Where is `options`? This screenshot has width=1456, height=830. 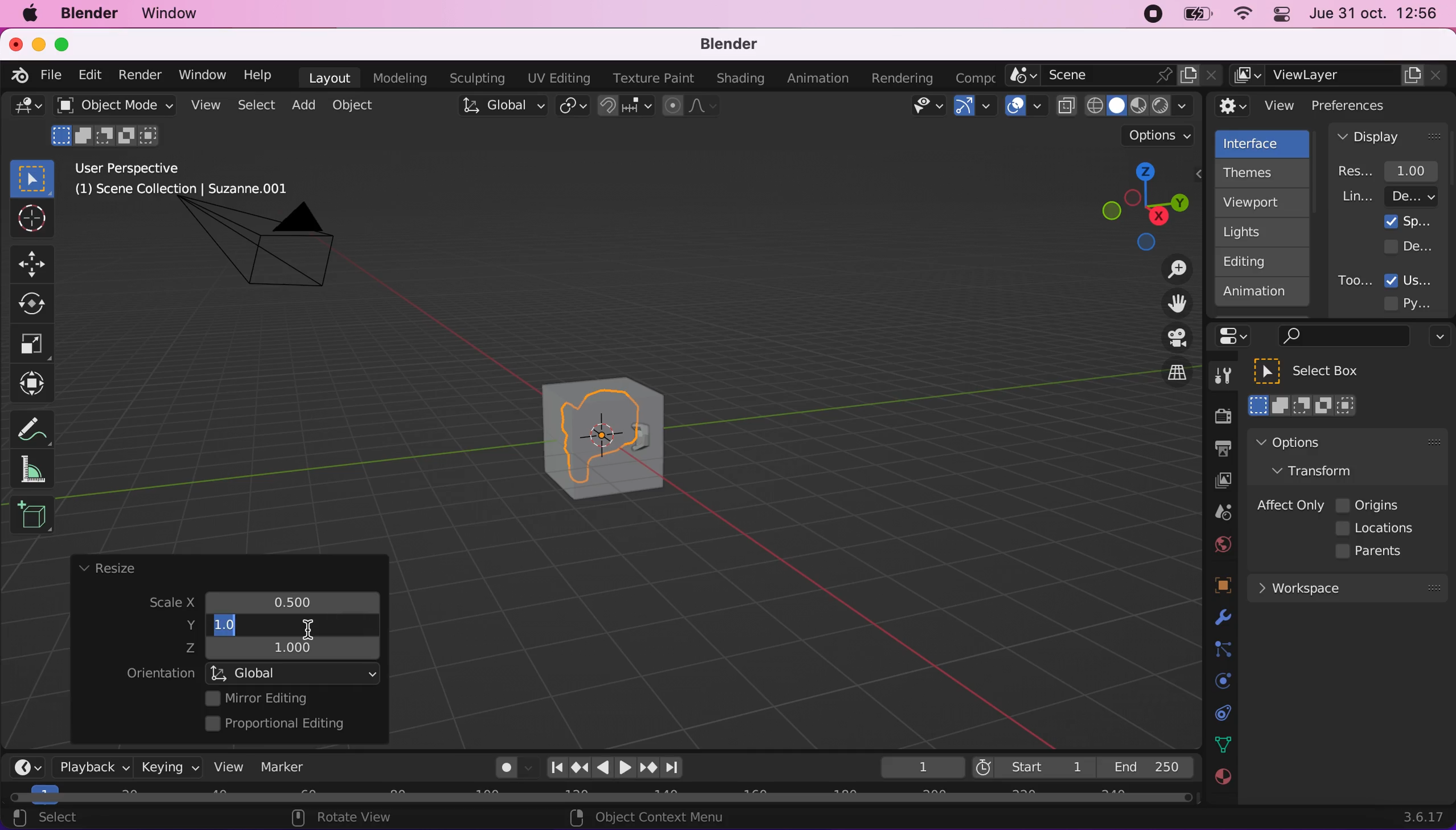
options is located at coordinates (1320, 442).